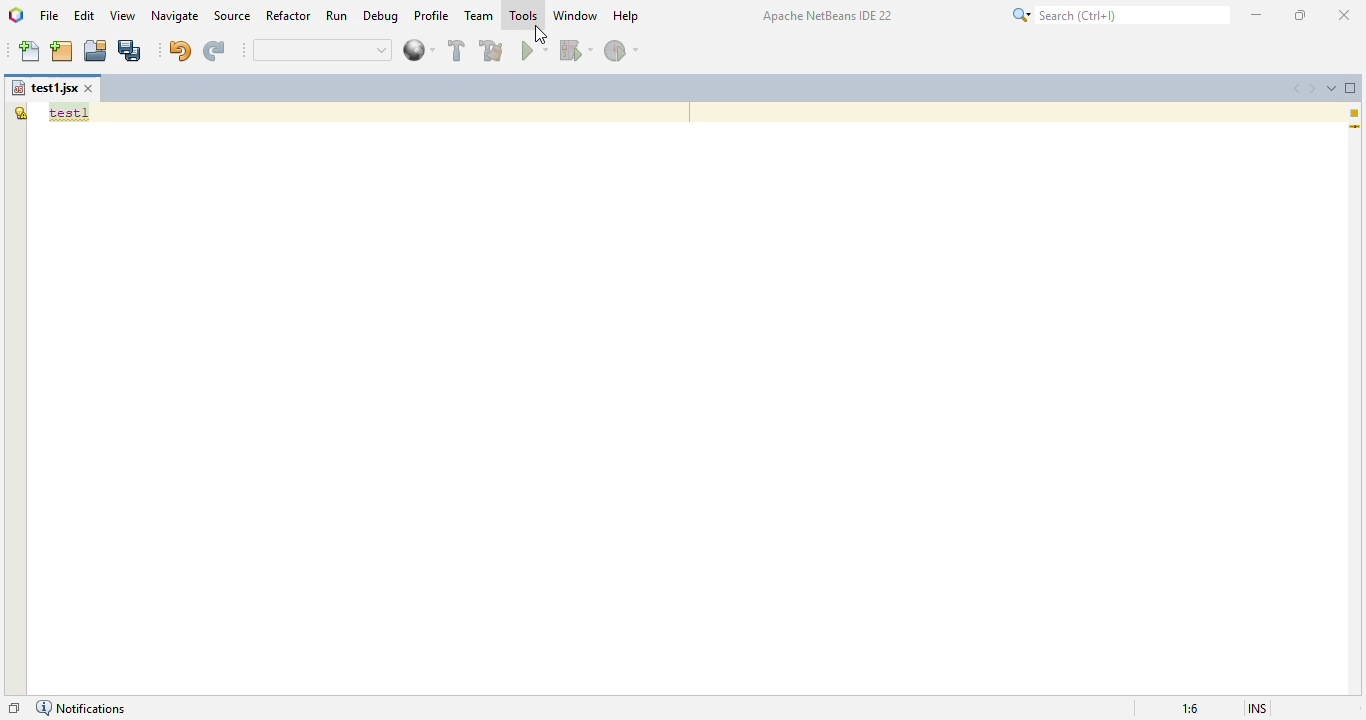 This screenshot has width=1366, height=720. What do you see at coordinates (1117, 15) in the screenshot?
I see `search` at bounding box center [1117, 15].